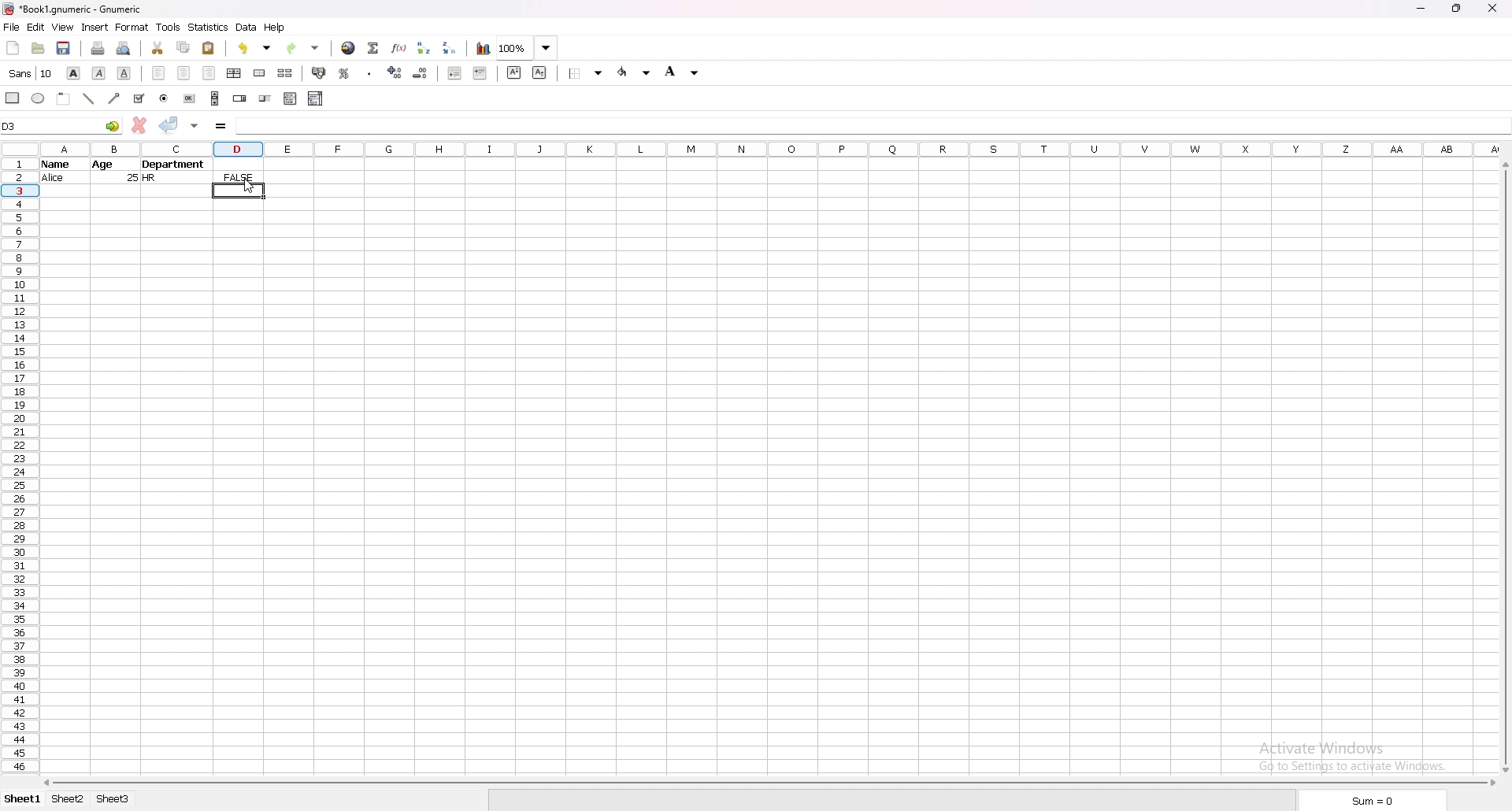 This screenshot has width=1512, height=811. I want to click on rectangle, so click(13, 98).